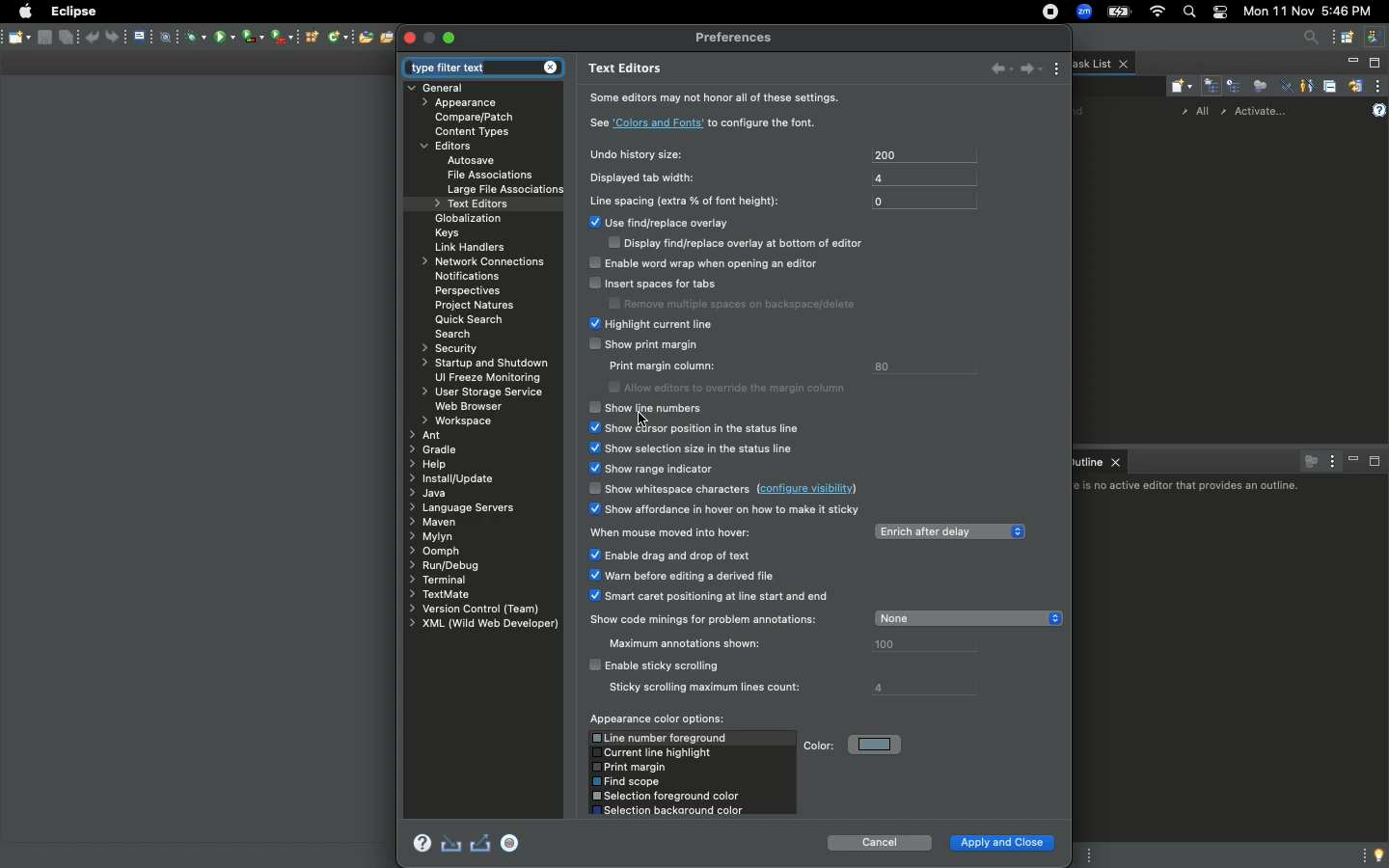 The width and height of the screenshot is (1389, 868). Describe the element at coordinates (1349, 64) in the screenshot. I see `Minimize ` at that location.